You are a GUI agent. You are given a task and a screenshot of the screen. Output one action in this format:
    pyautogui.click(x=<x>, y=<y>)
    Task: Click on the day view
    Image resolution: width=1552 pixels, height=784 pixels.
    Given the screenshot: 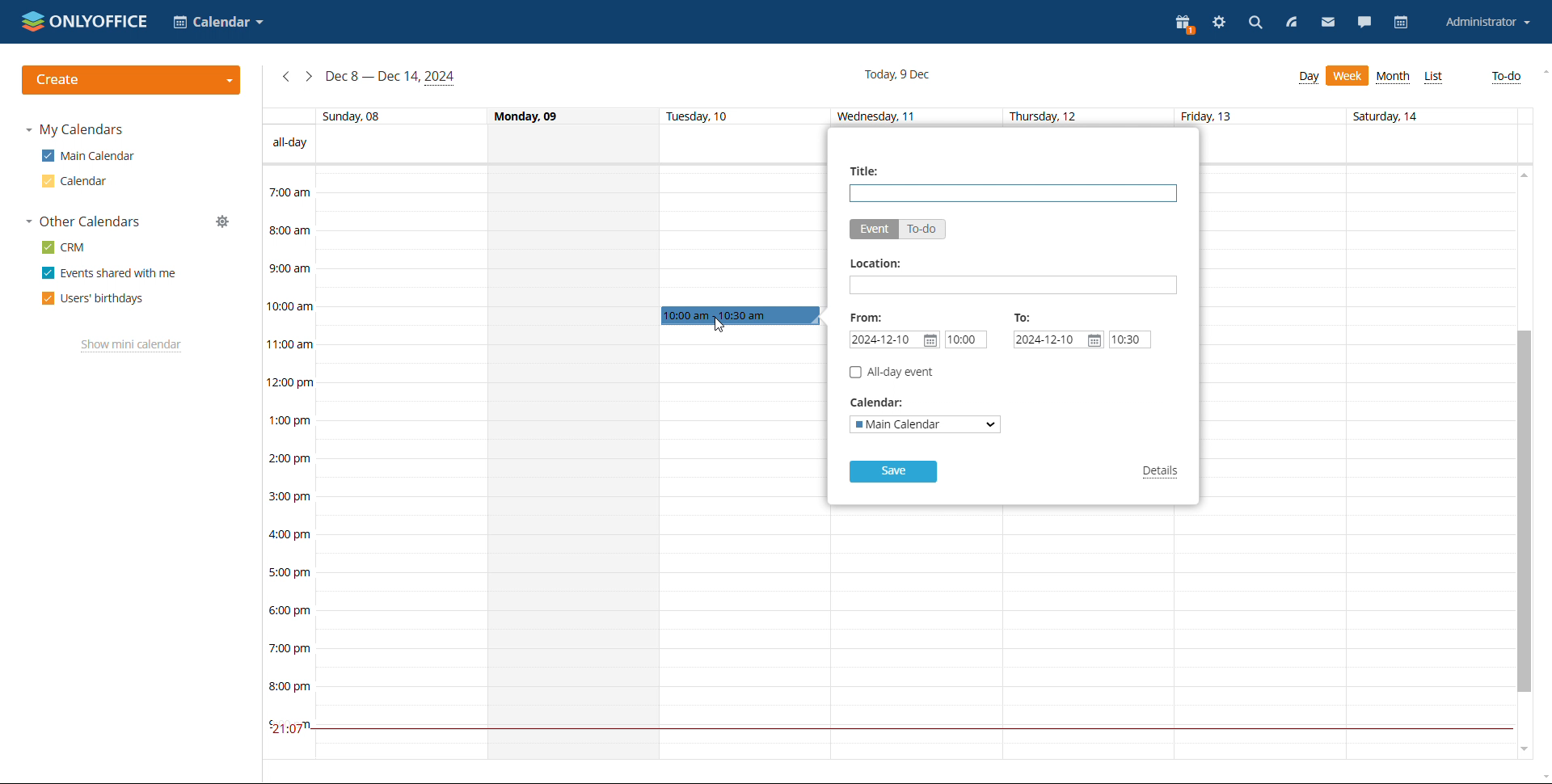 What is the action you would take?
    pyautogui.click(x=1309, y=78)
    